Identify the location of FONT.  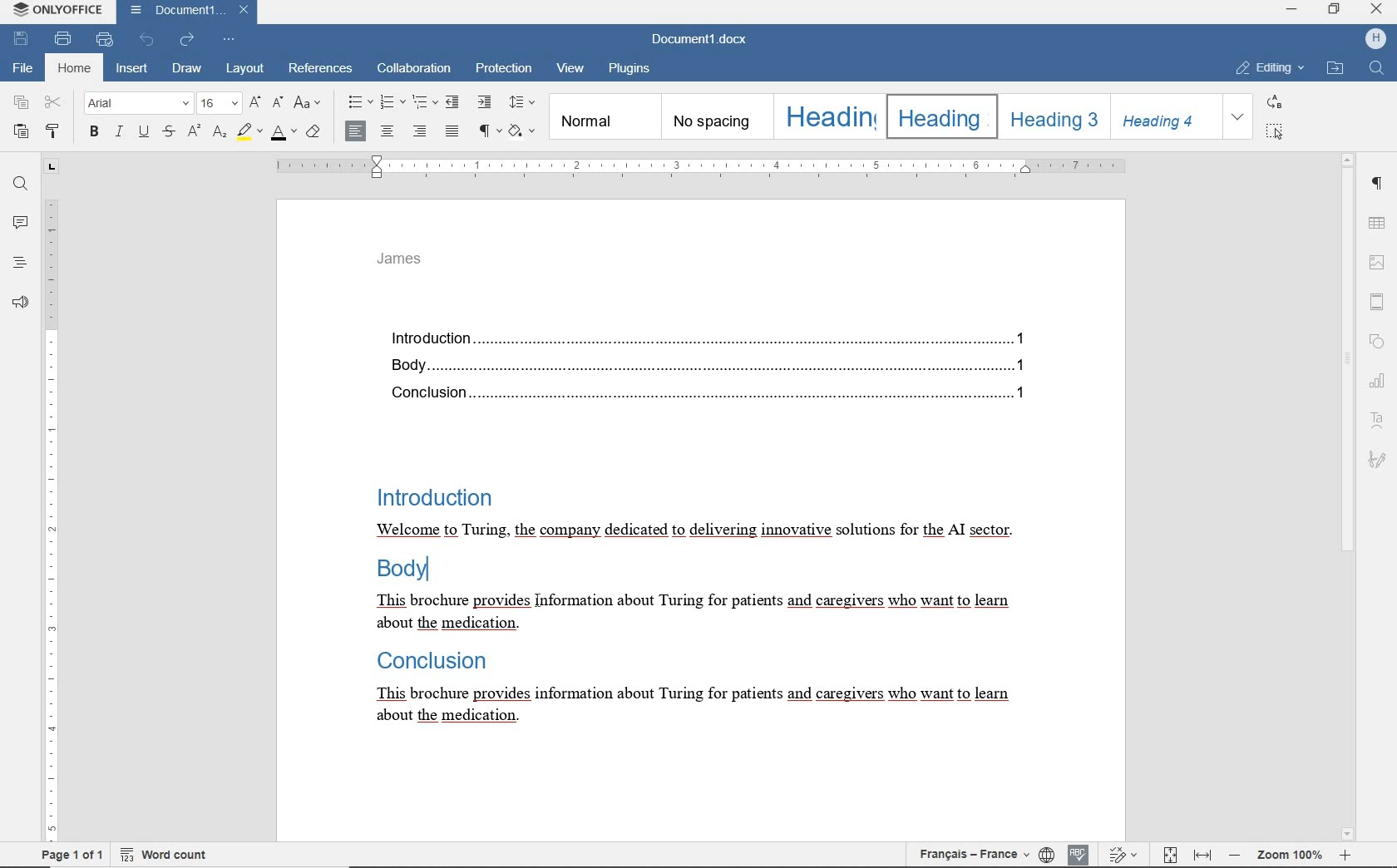
(140, 104).